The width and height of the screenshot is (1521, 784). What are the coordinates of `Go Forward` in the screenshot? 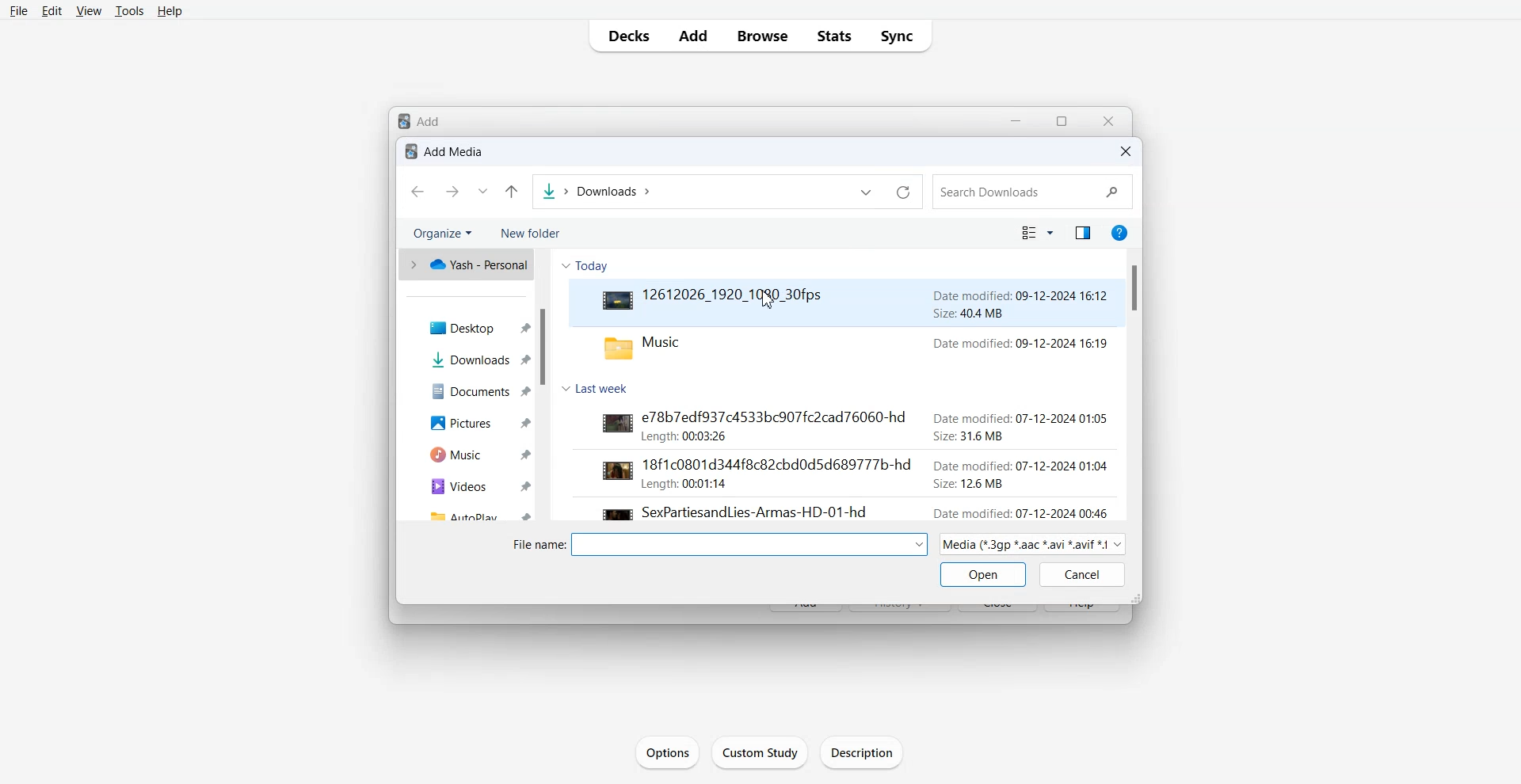 It's located at (450, 192).